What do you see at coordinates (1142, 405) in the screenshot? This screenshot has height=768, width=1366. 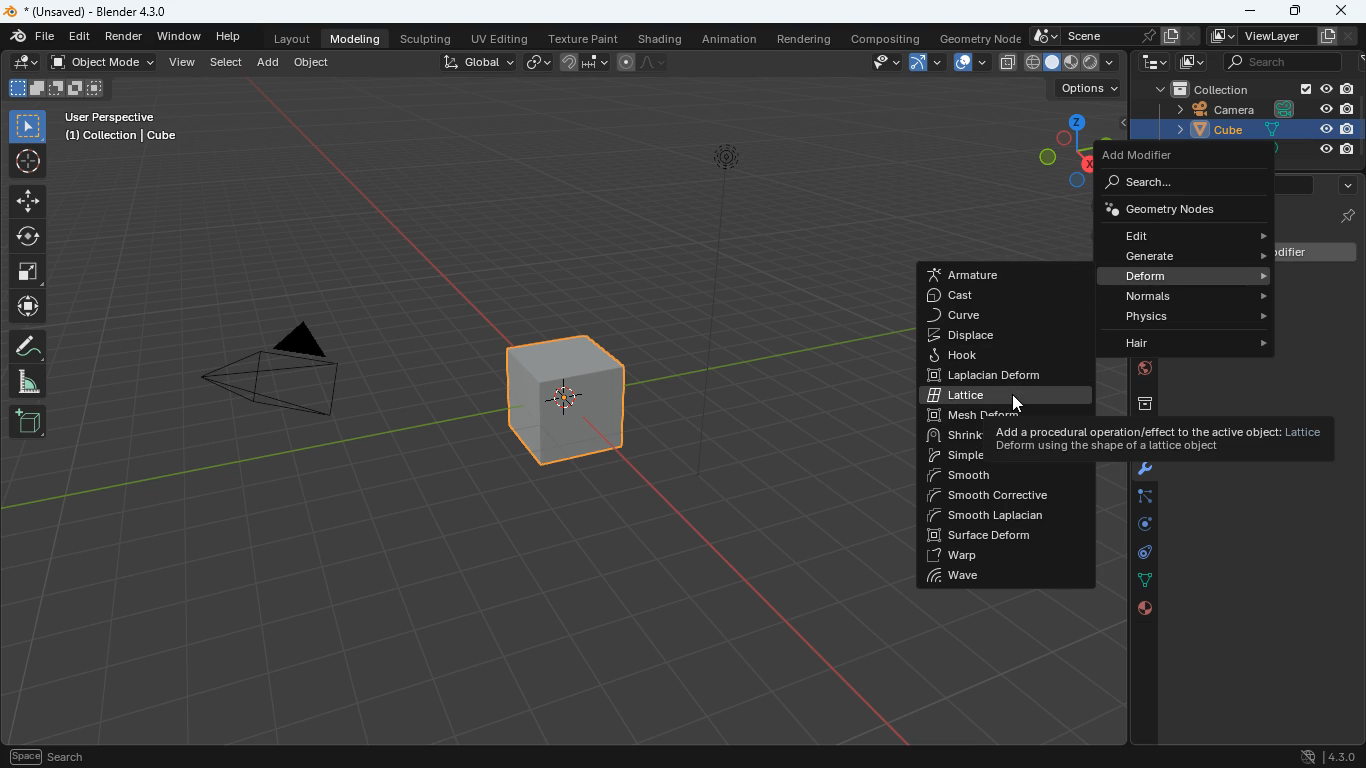 I see `archive` at bounding box center [1142, 405].